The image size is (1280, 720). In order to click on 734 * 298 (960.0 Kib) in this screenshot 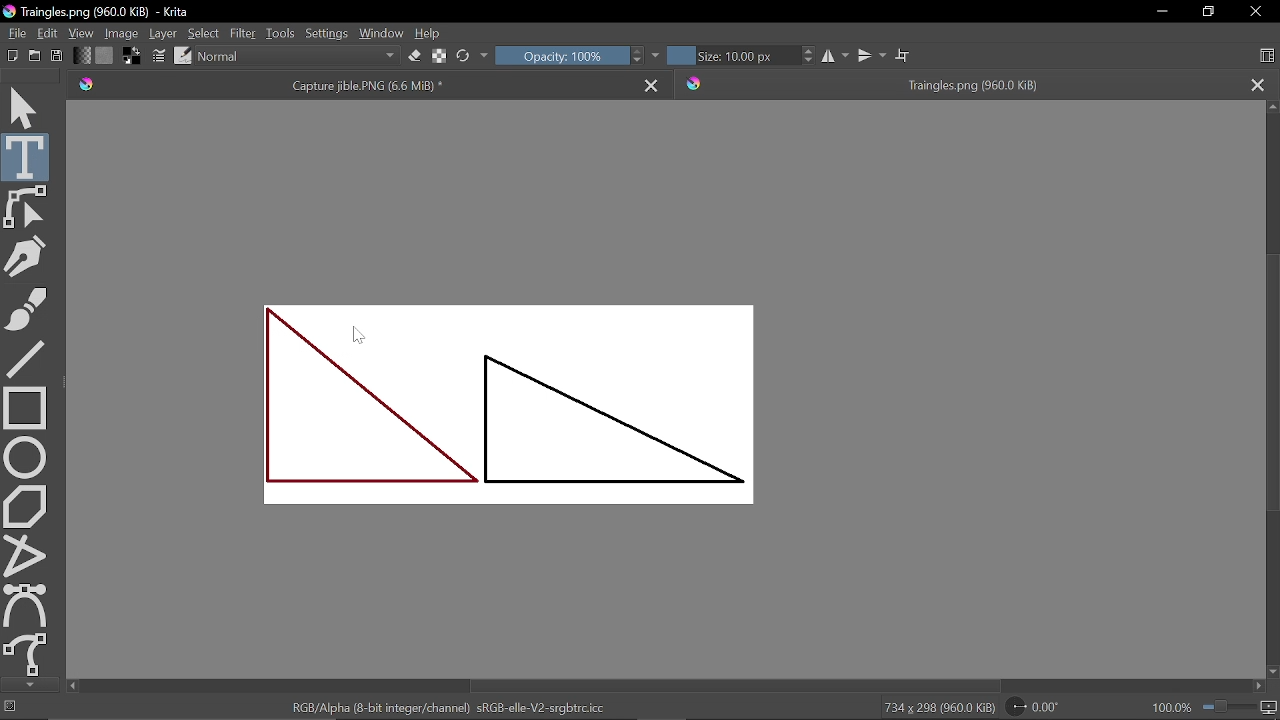, I will do `click(939, 709)`.